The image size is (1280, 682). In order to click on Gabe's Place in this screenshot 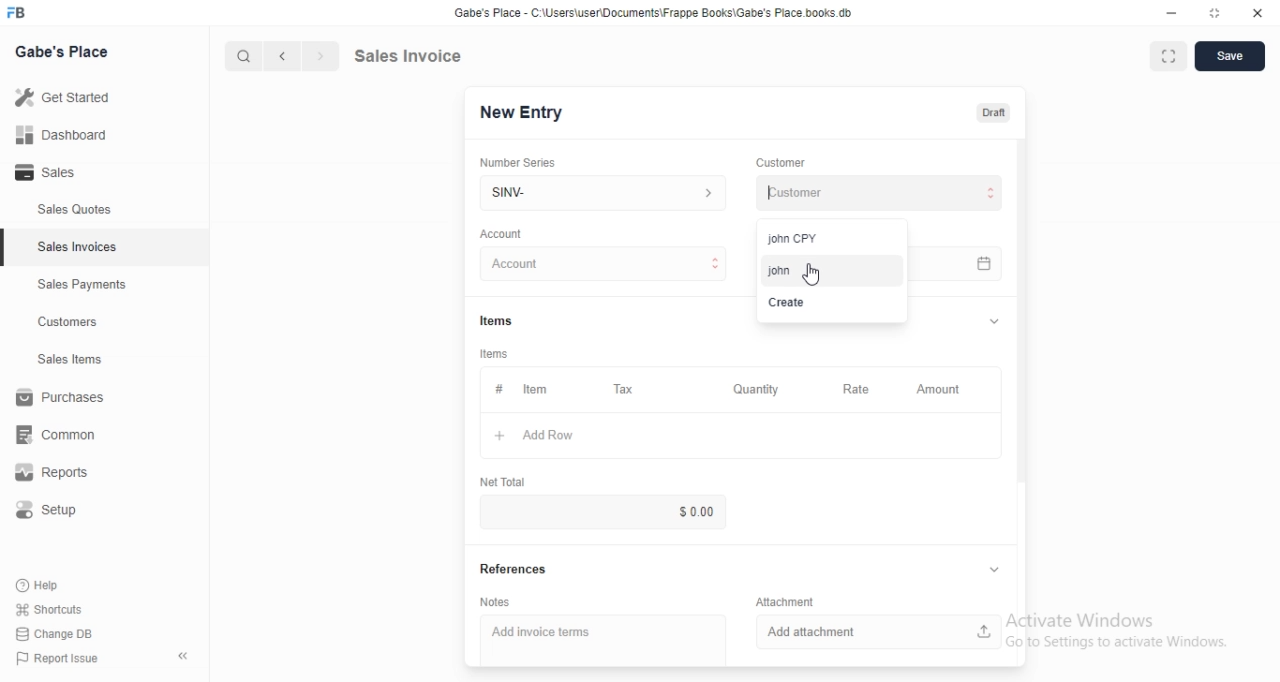, I will do `click(66, 50)`.